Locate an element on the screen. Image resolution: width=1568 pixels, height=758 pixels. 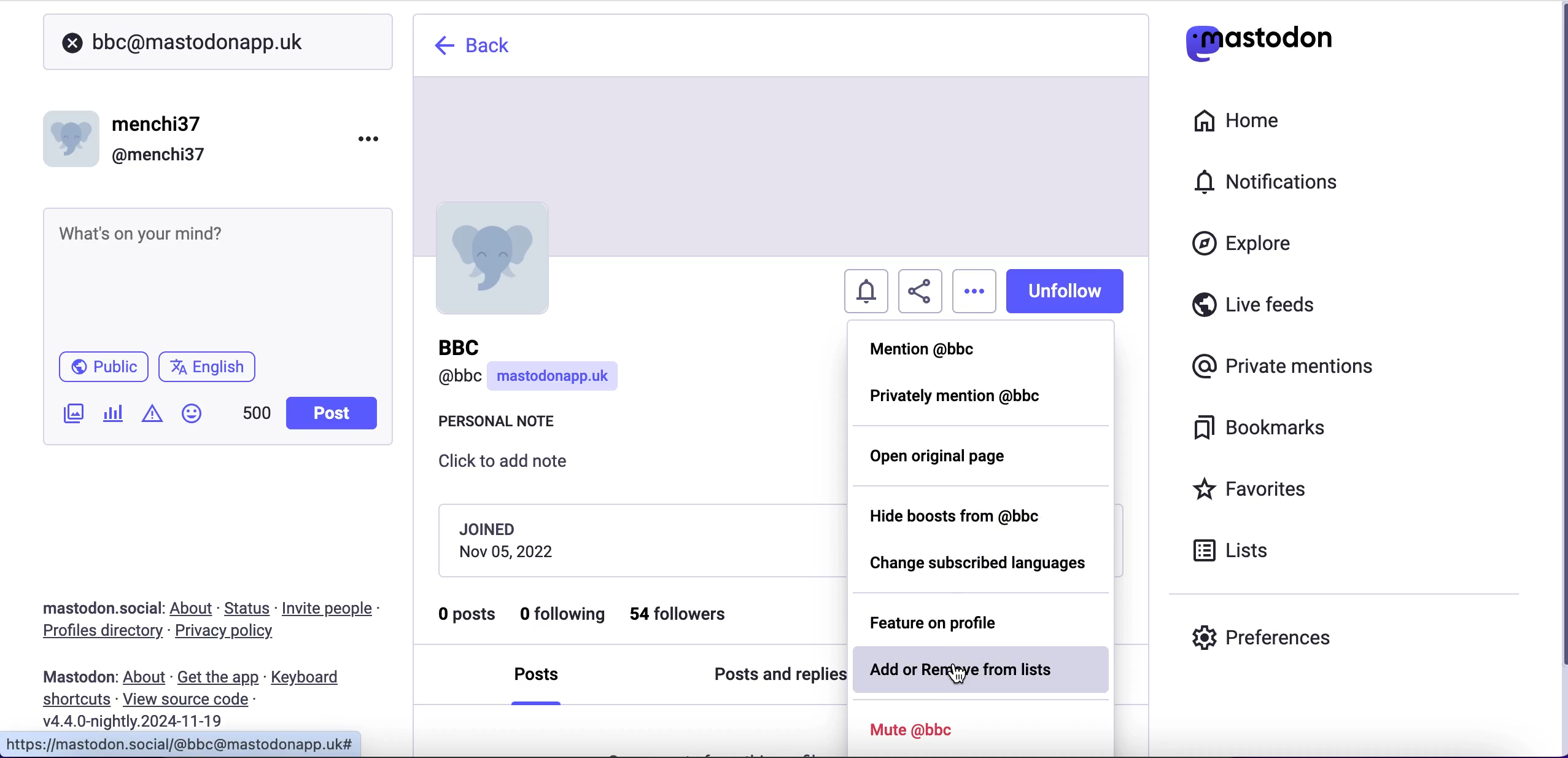
lists is located at coordinates (1238, 549).